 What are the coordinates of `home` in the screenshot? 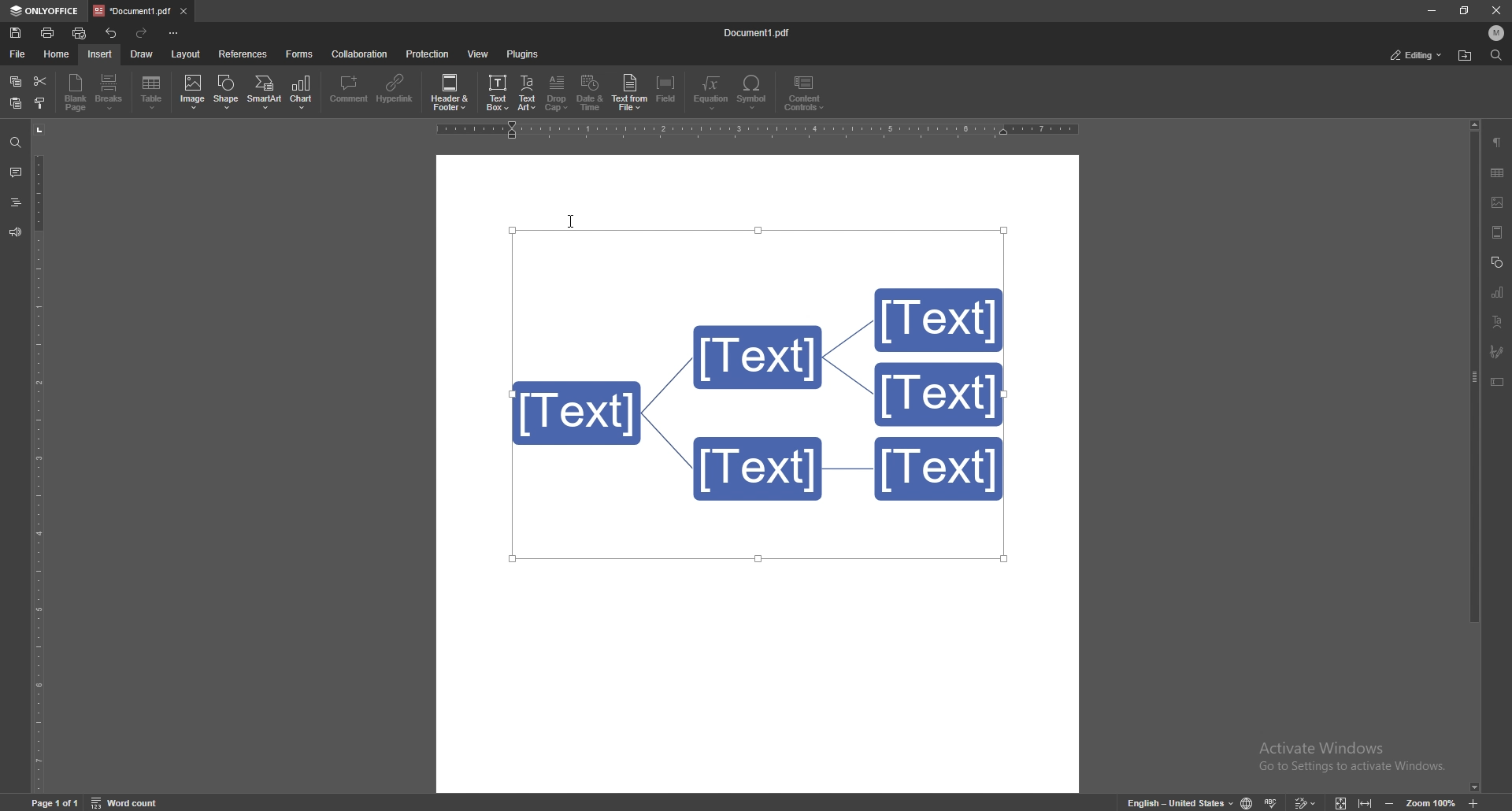 It's located at (57, 54).